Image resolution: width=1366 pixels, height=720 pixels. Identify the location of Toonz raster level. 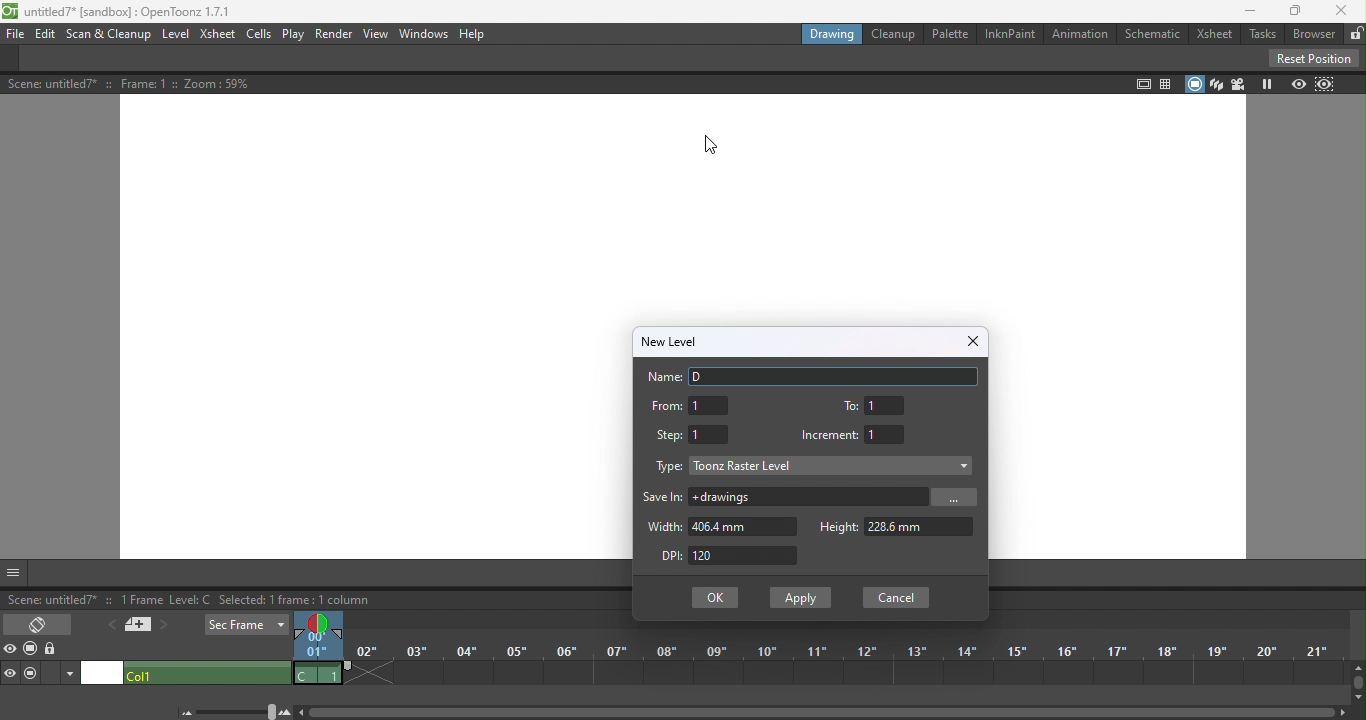
(832, 465).